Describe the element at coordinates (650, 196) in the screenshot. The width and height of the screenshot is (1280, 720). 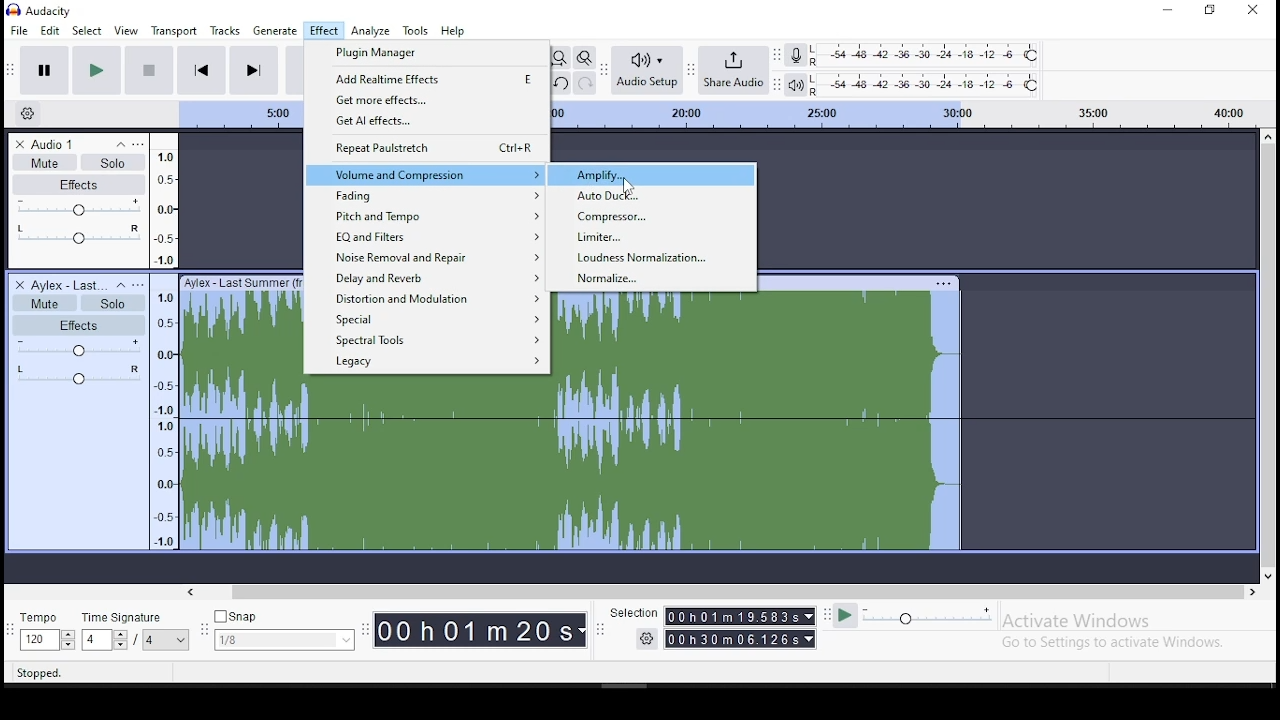
I see `auto duck` at that location.